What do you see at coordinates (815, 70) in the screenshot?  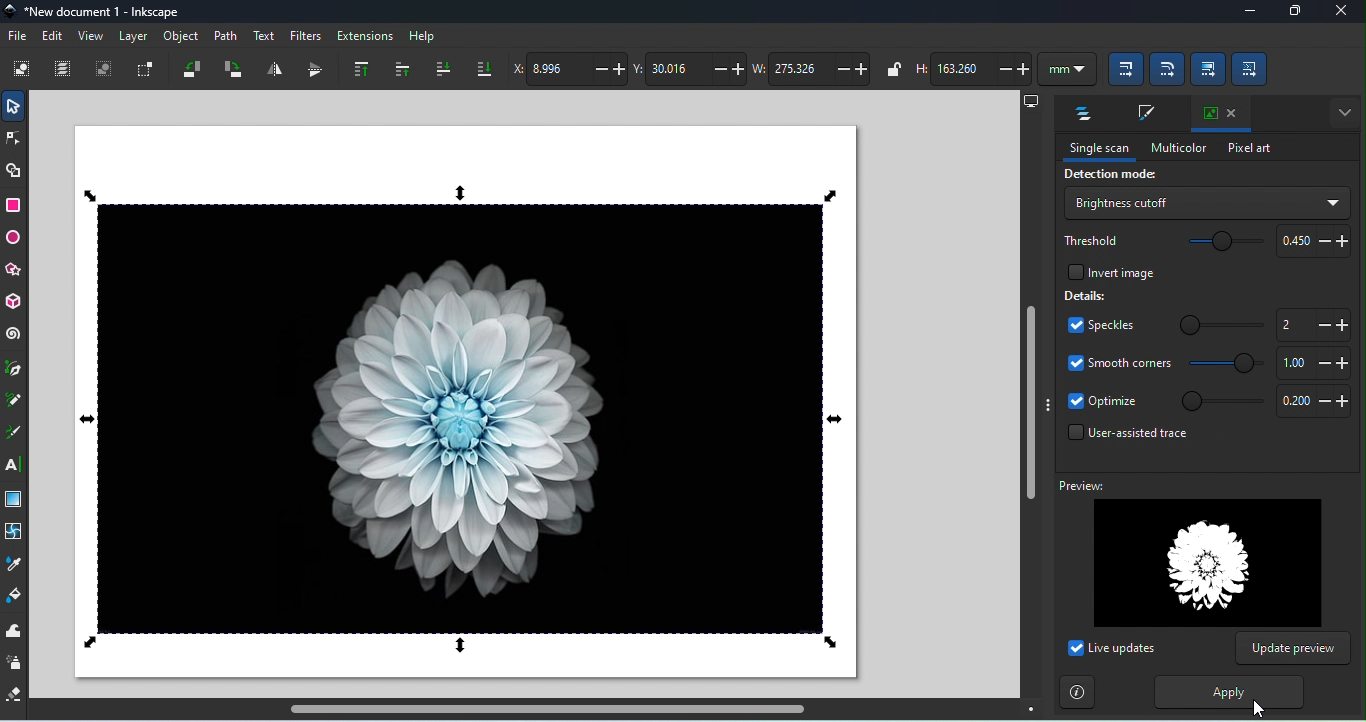 I see `Width of the selection` at bounding box center [815, 70].